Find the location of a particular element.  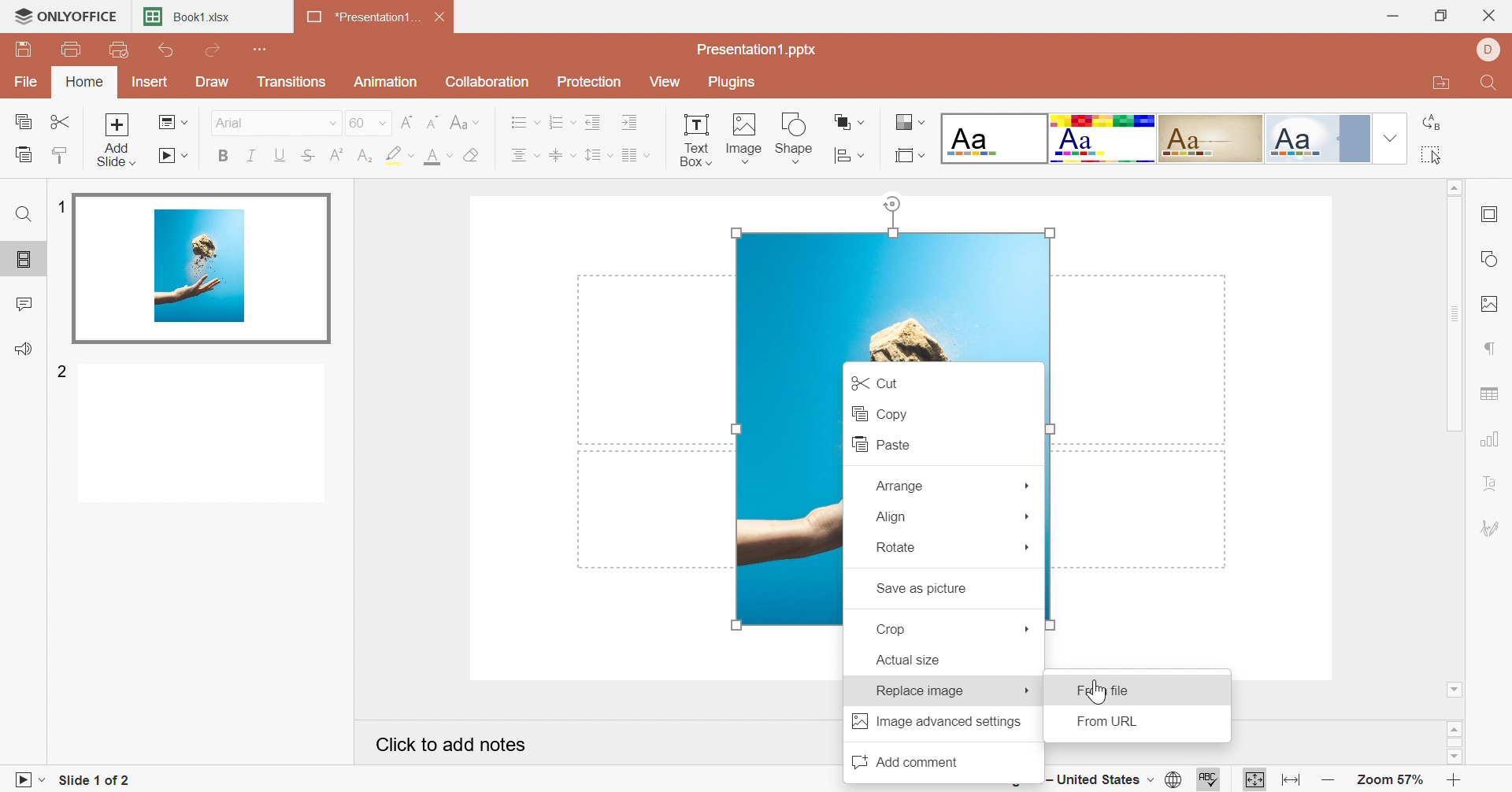

Drop Down is located at coordinates (1028, 483).